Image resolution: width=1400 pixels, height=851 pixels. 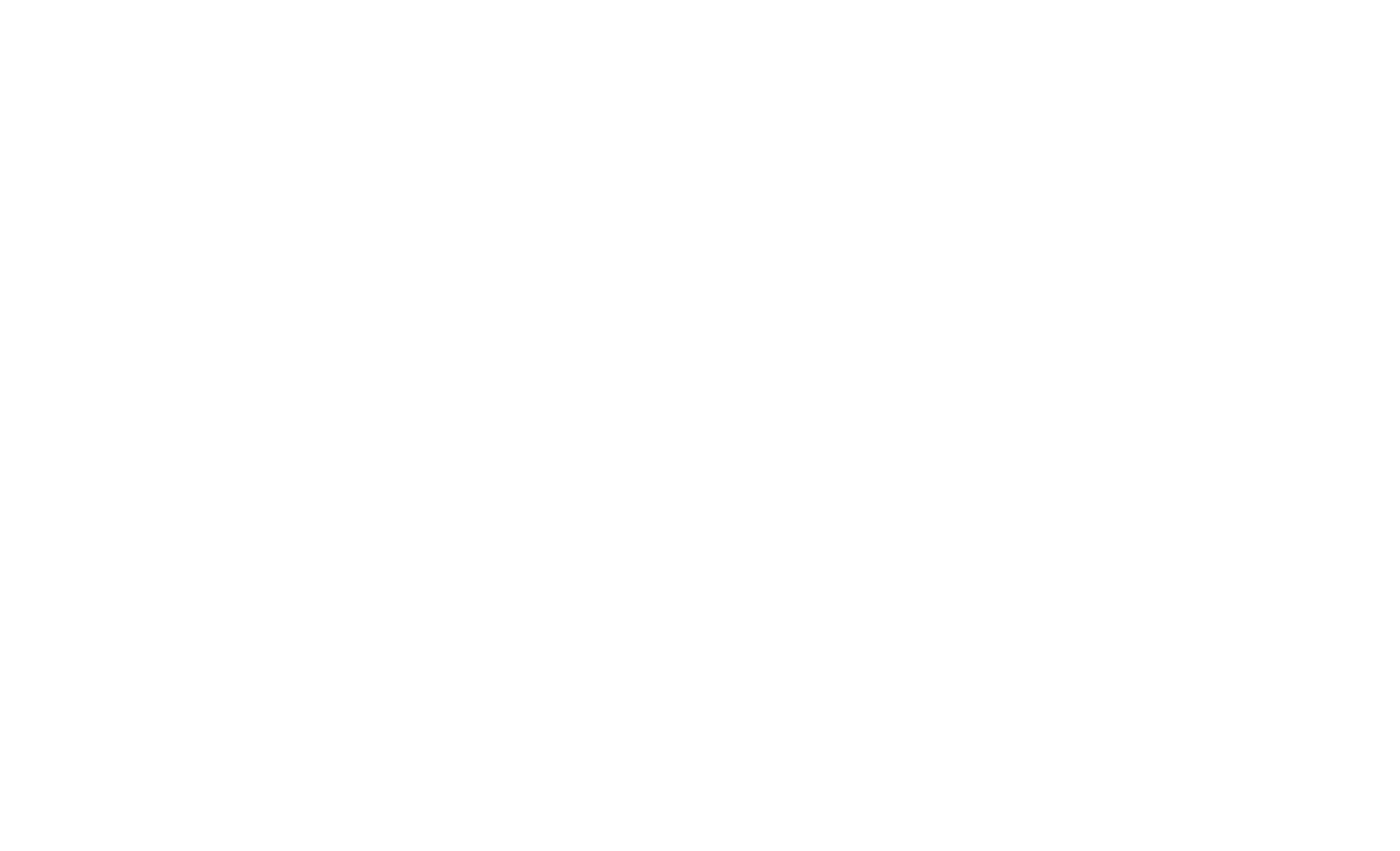 I want to click on Settings, so click(x=1269, y=751).